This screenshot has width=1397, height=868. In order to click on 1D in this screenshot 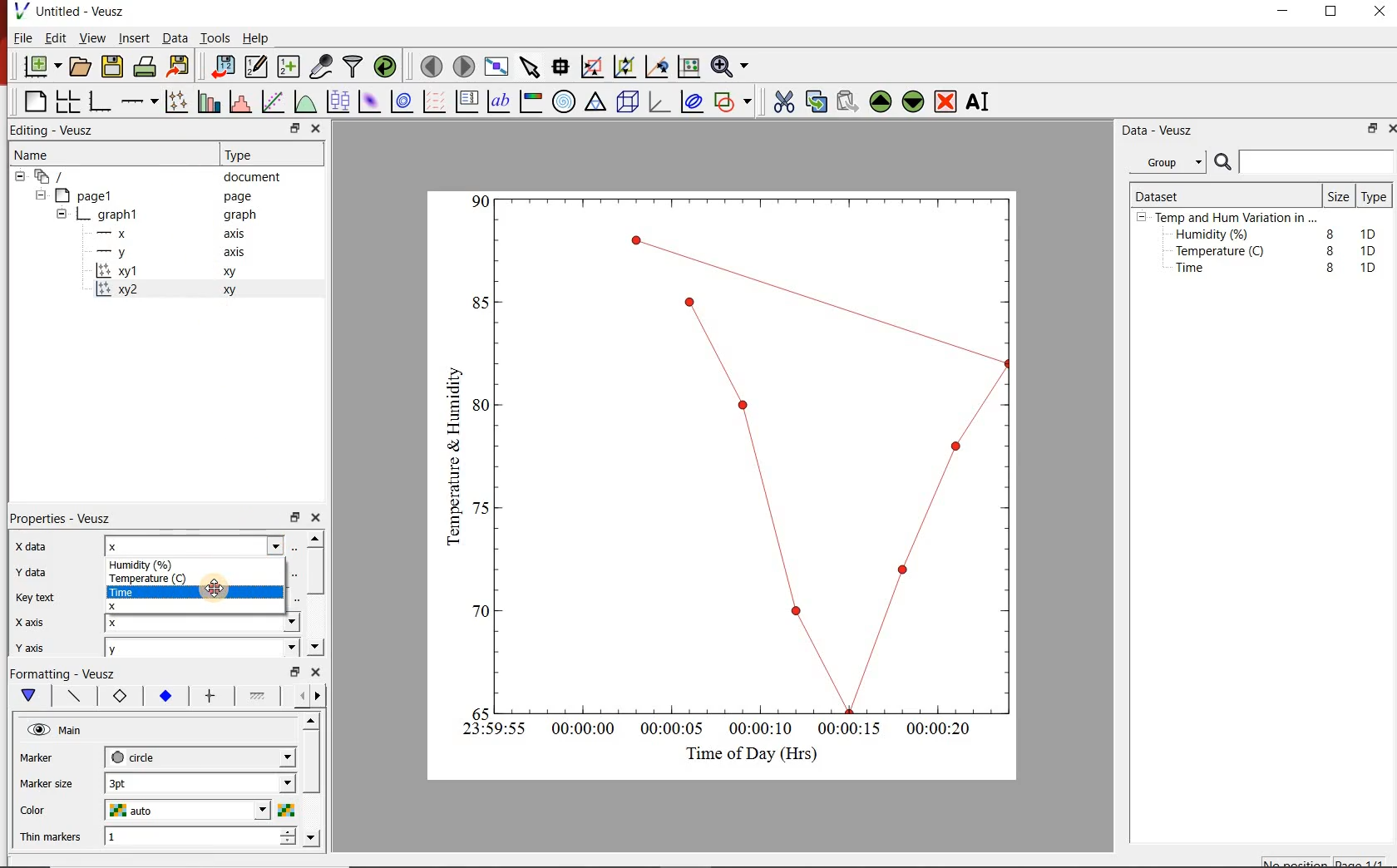, I will do `click(1373, 250)`.